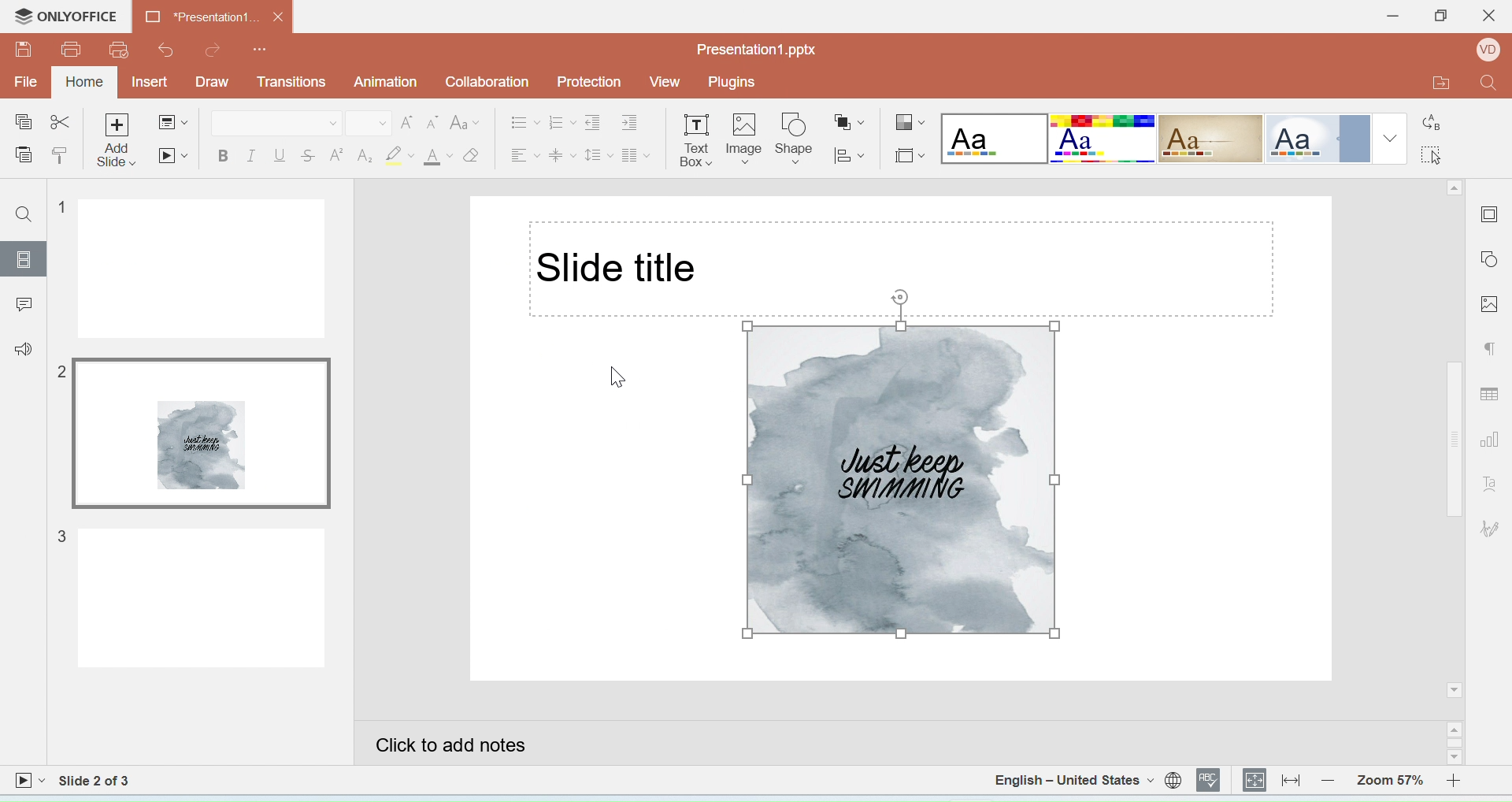 This screenshot has width=1512, height=802. Describe the element at coordinates (1433, 117) in the screenshot. I see `Replace` at that location.